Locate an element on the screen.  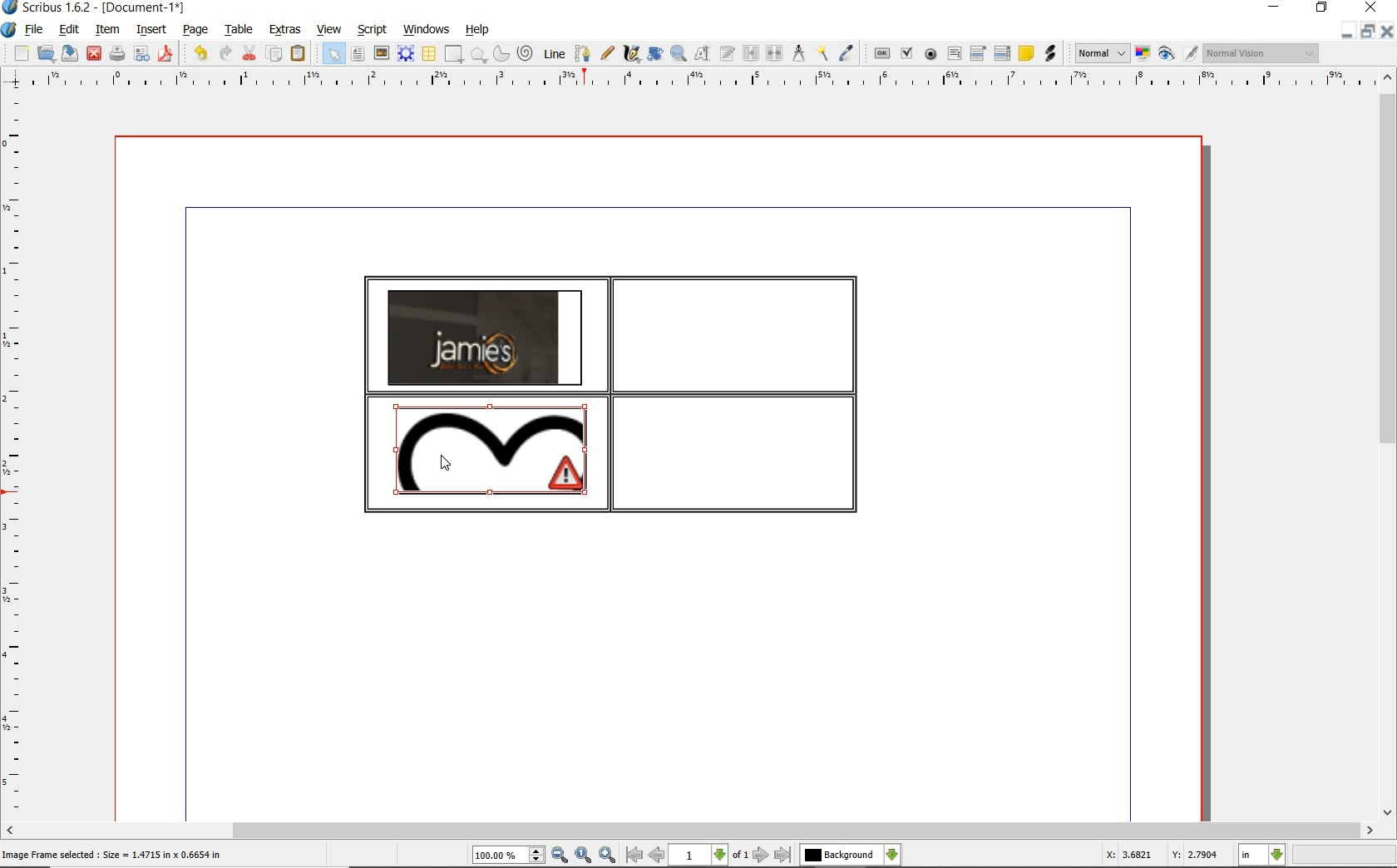
X: 3.6821 Y: 2.7904 is located at coordinates (1161, 856).